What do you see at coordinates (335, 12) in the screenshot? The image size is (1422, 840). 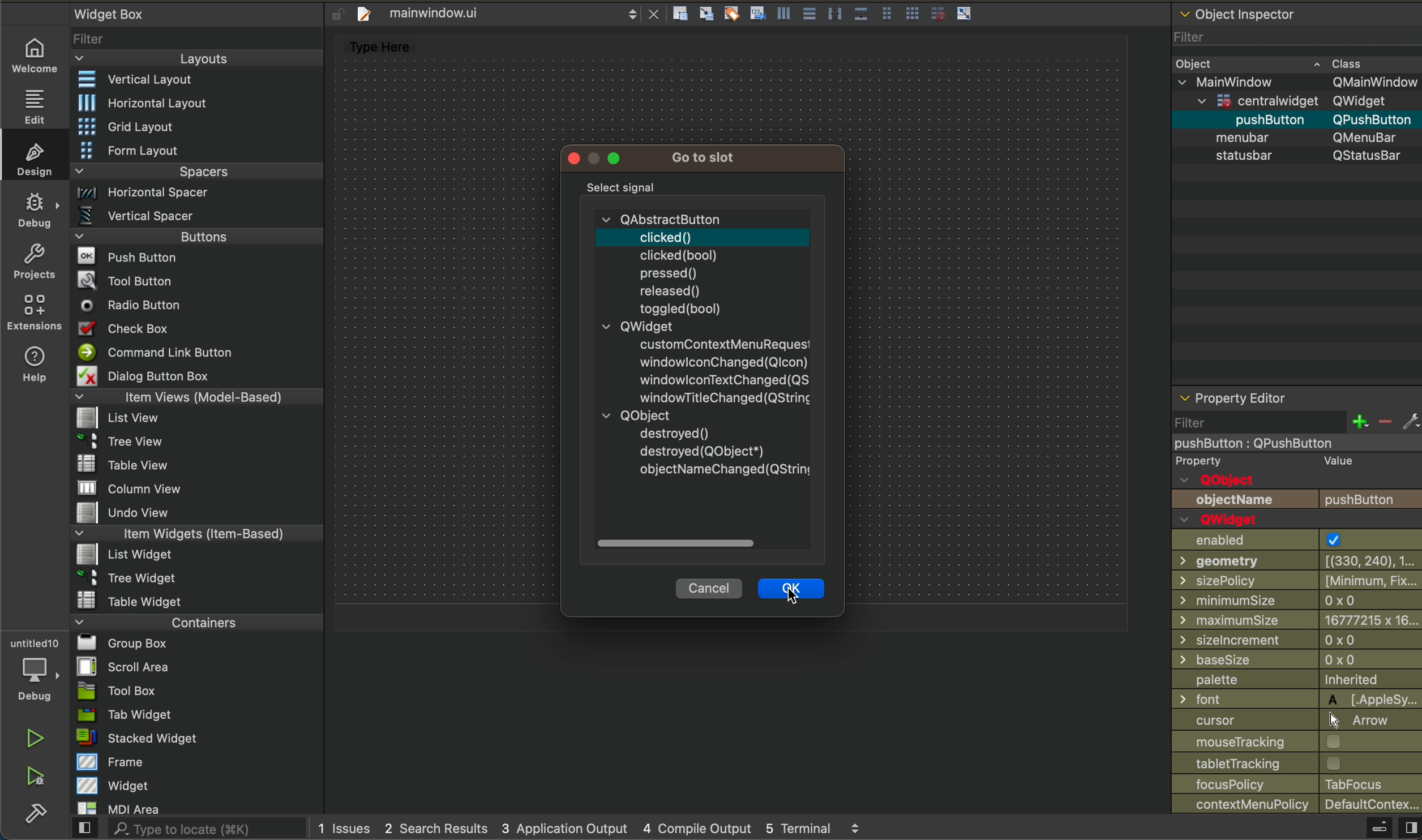 I see `lock` at bounding box center [335, 12].